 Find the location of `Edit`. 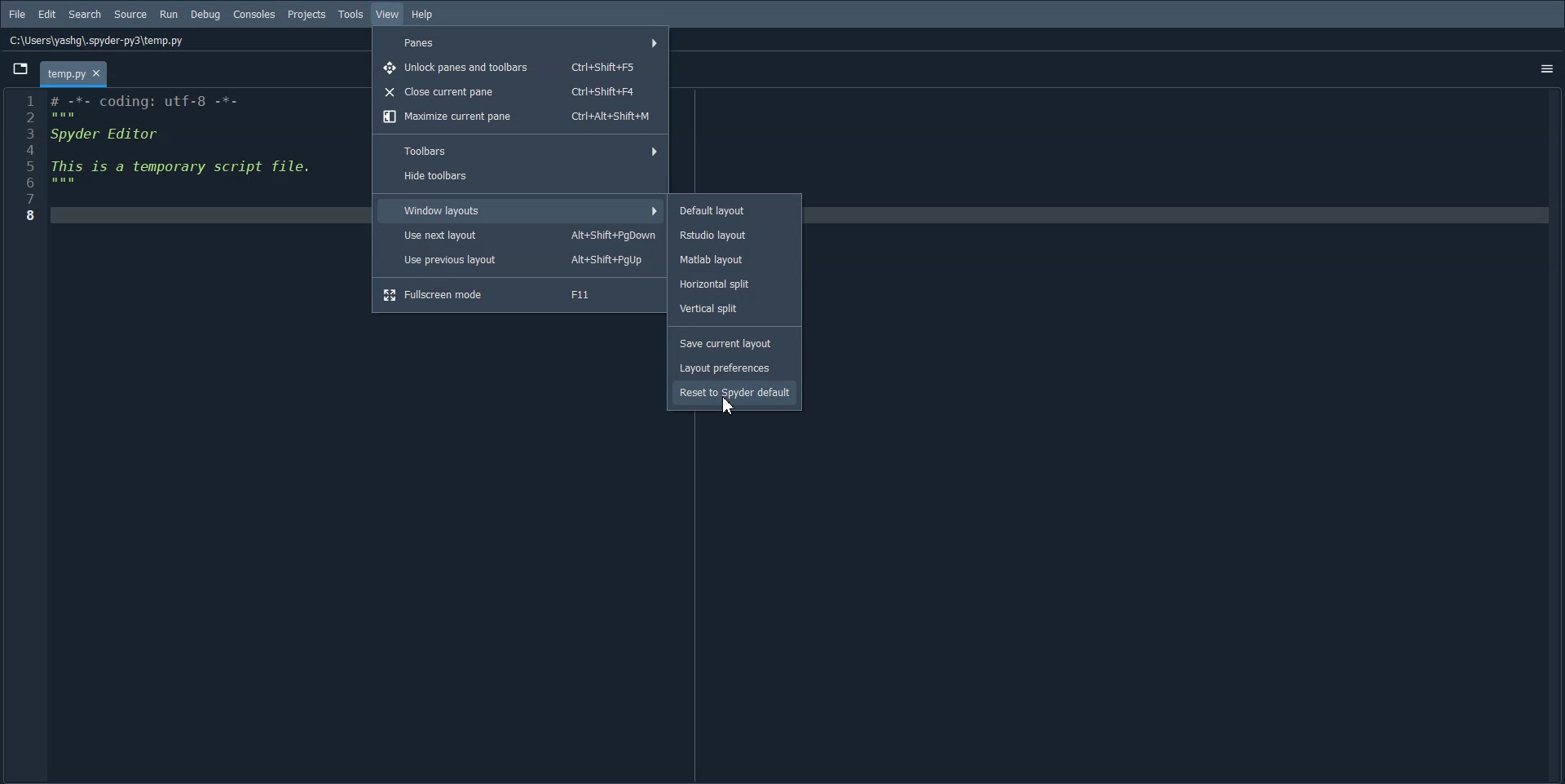

Edit is located at coordinates (47, 14).